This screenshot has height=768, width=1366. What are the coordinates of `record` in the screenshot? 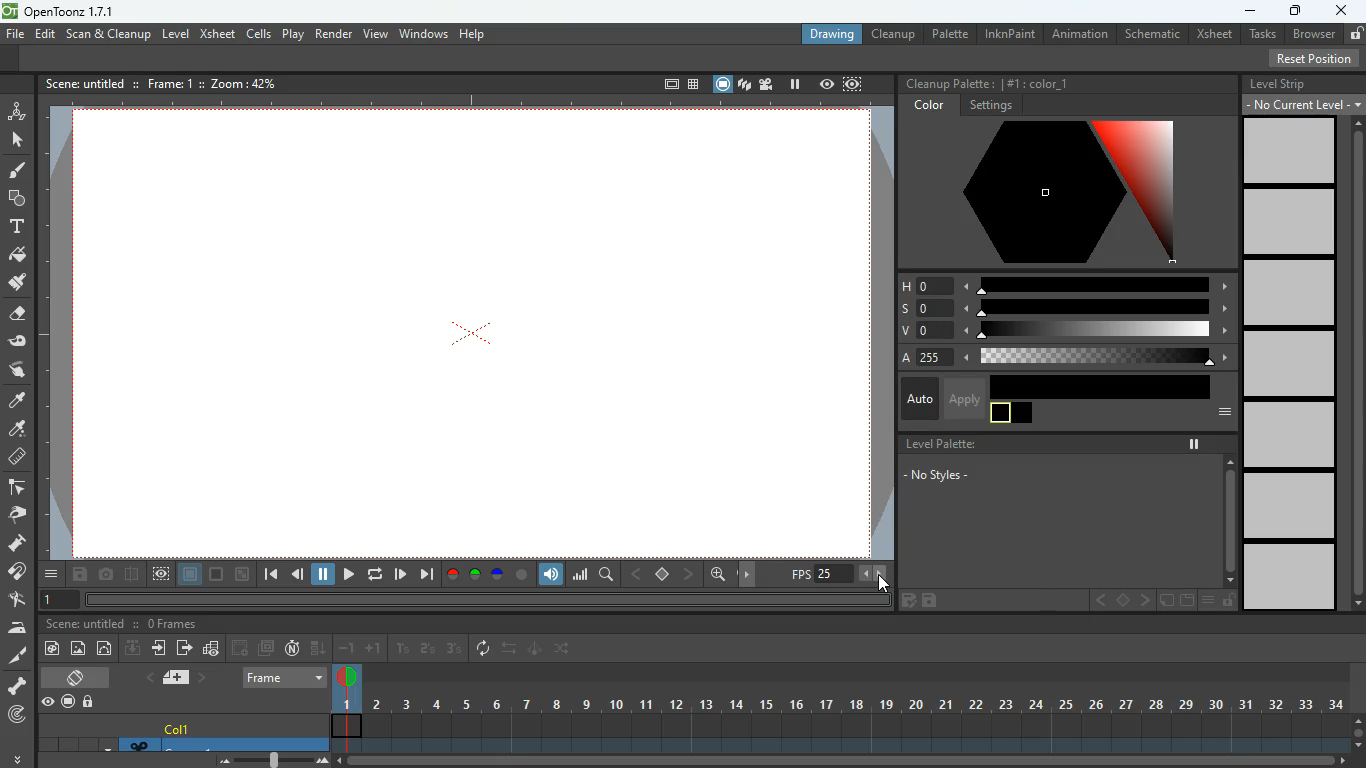 It's located at (68, 702).